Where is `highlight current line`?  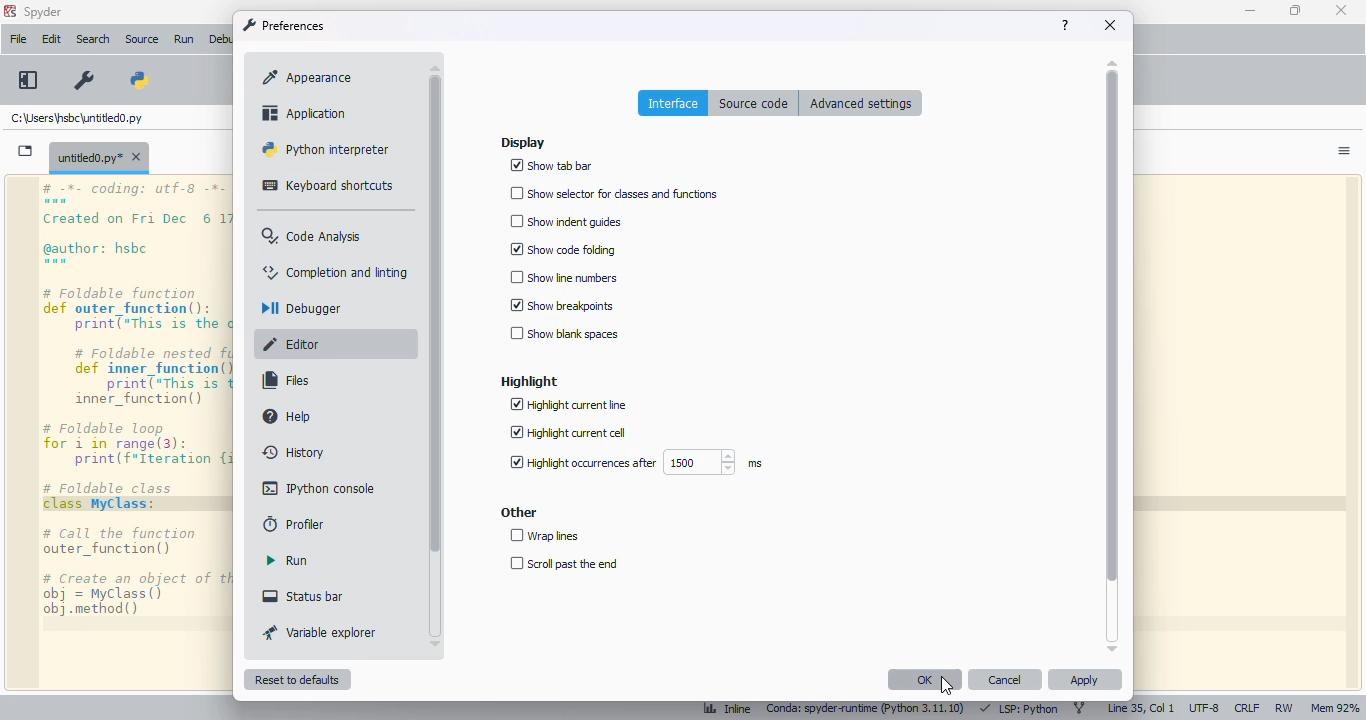 highlight current line is located at coordinates (568, 404).